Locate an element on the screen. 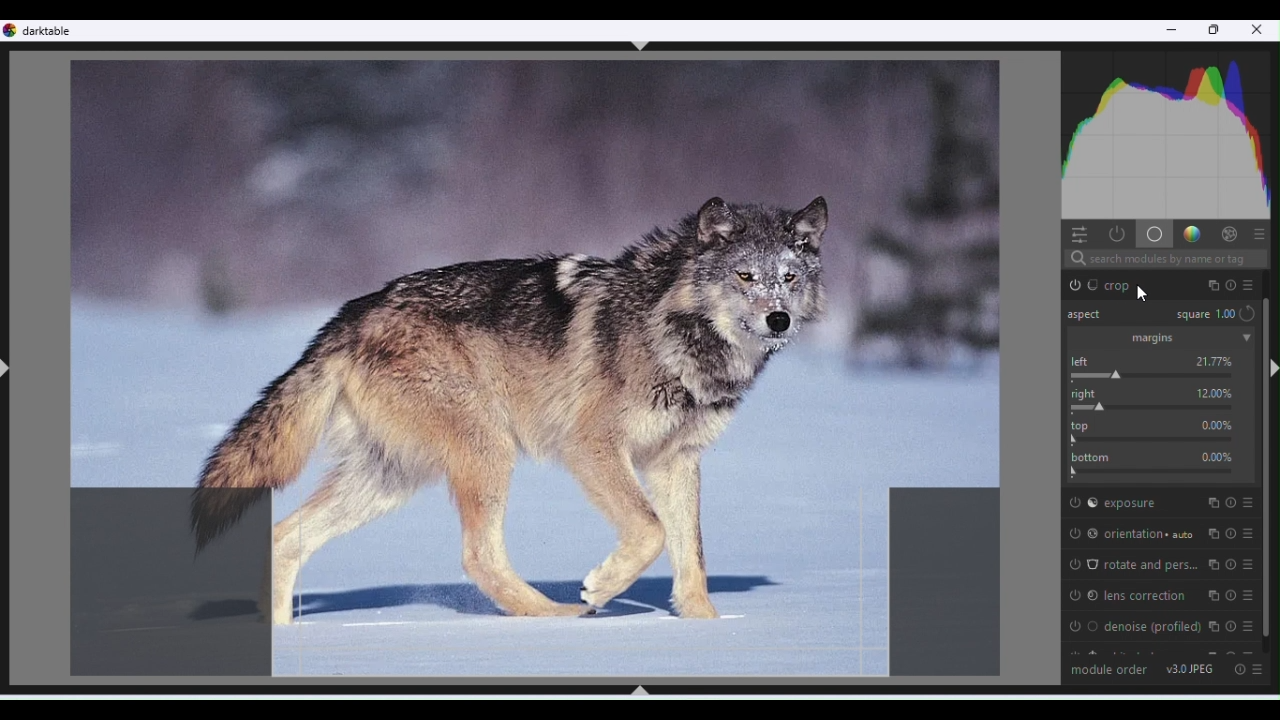 The height and width of the screenshot is (720, 1280). Gradient is located at coordinates (1190, 232).